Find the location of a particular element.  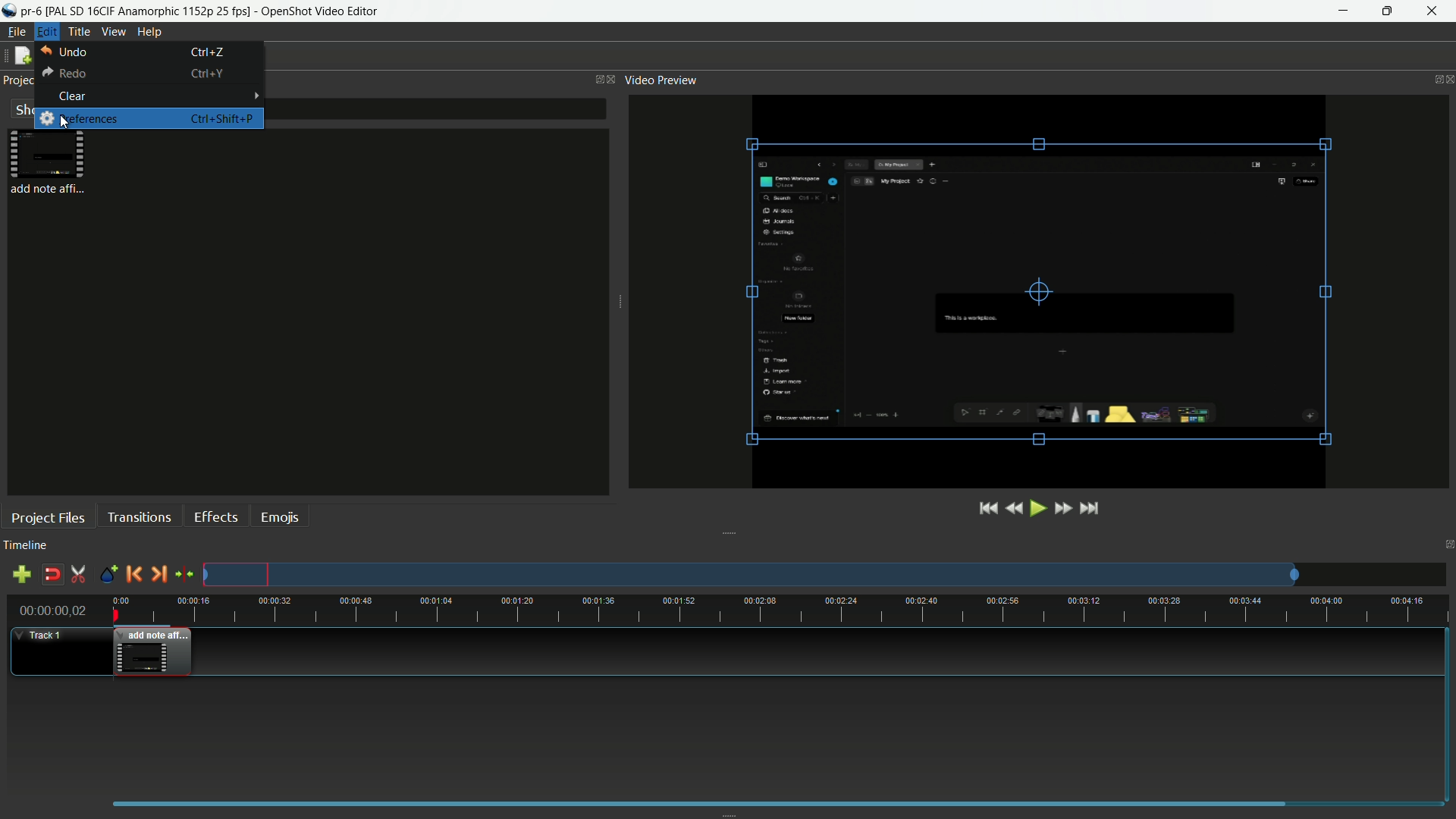

enable razor is located at coordinates (77, 574).